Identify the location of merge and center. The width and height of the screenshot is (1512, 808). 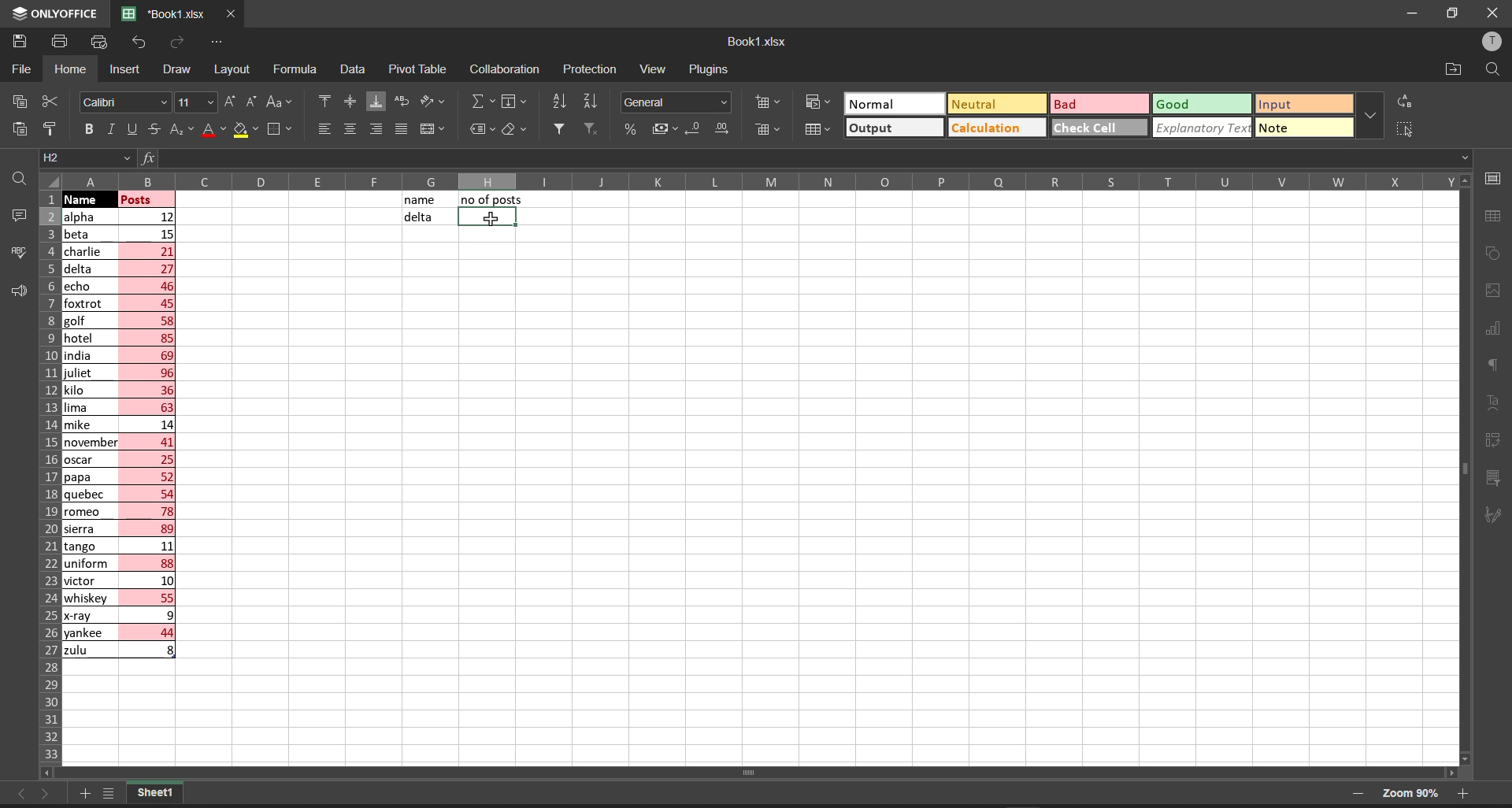
(433, 130).